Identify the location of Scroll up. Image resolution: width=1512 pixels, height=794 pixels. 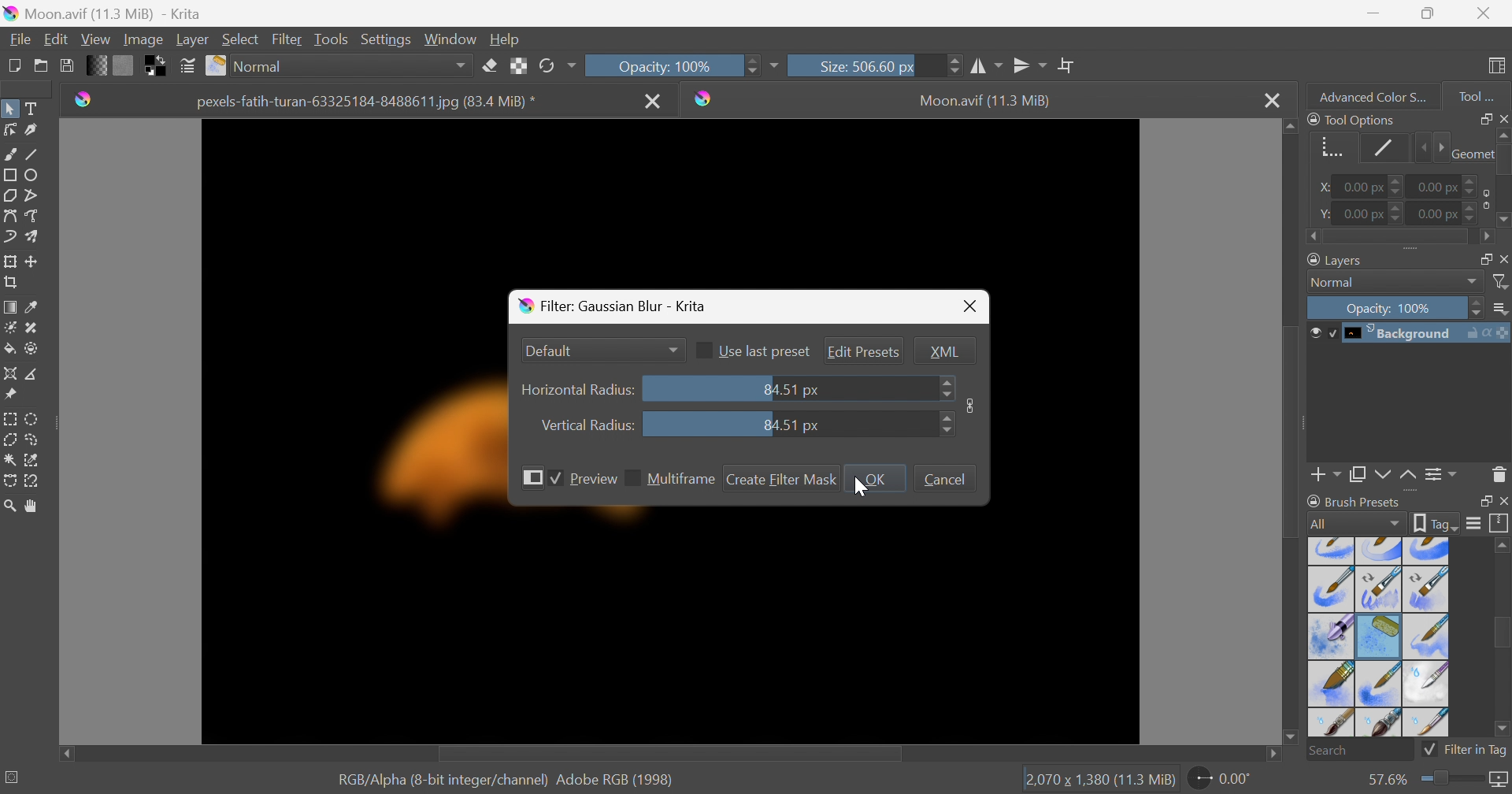
(1503, 134).